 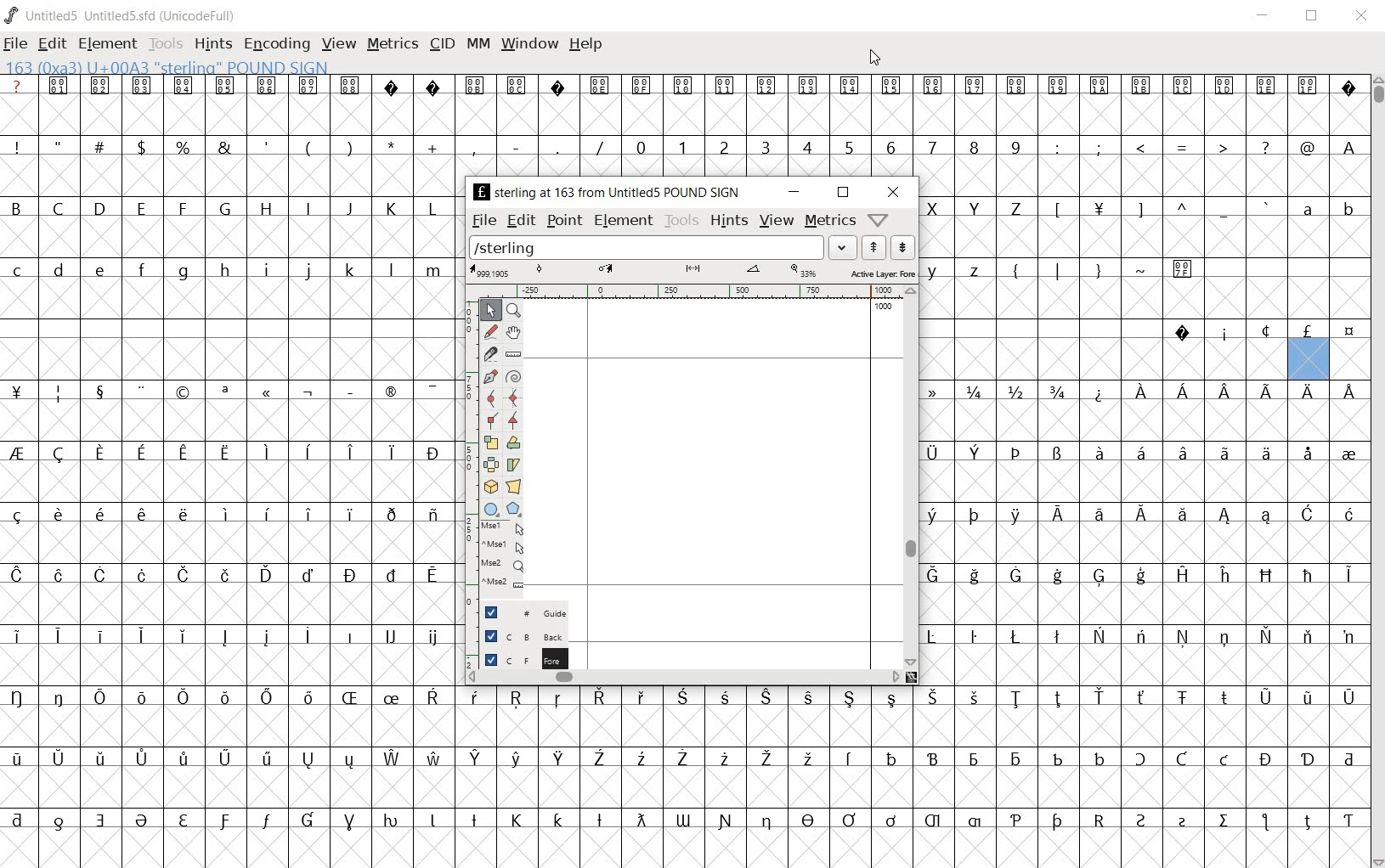 What do you see at coordinates (639, 820) in the screenshot?
I see `Symbol` at bounding box center [639, 820].